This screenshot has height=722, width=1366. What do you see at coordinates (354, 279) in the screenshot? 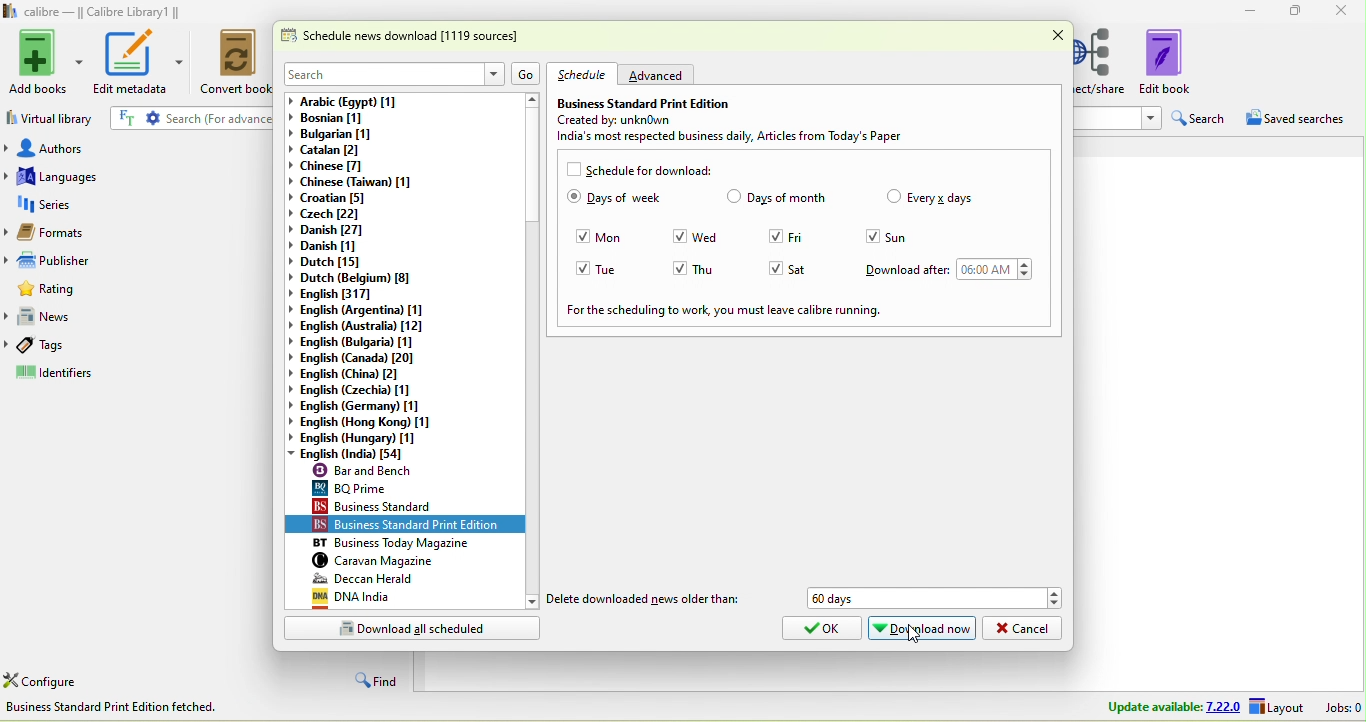
I see `dutch(belgium)[8]` at bounding box center [354, 279].